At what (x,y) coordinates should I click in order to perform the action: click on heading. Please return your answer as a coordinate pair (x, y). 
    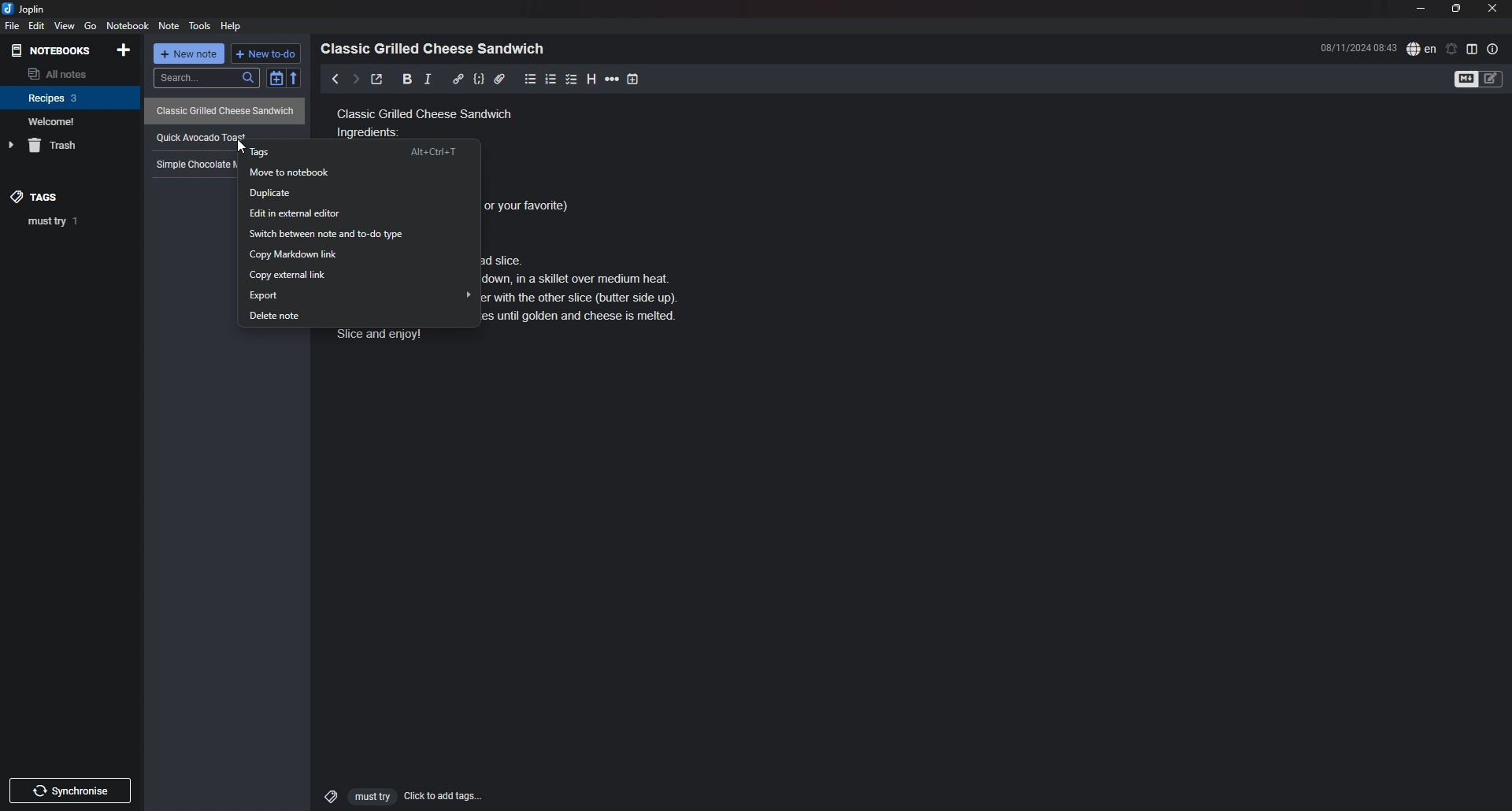
    Looking at the image, I should click on (437, 49).